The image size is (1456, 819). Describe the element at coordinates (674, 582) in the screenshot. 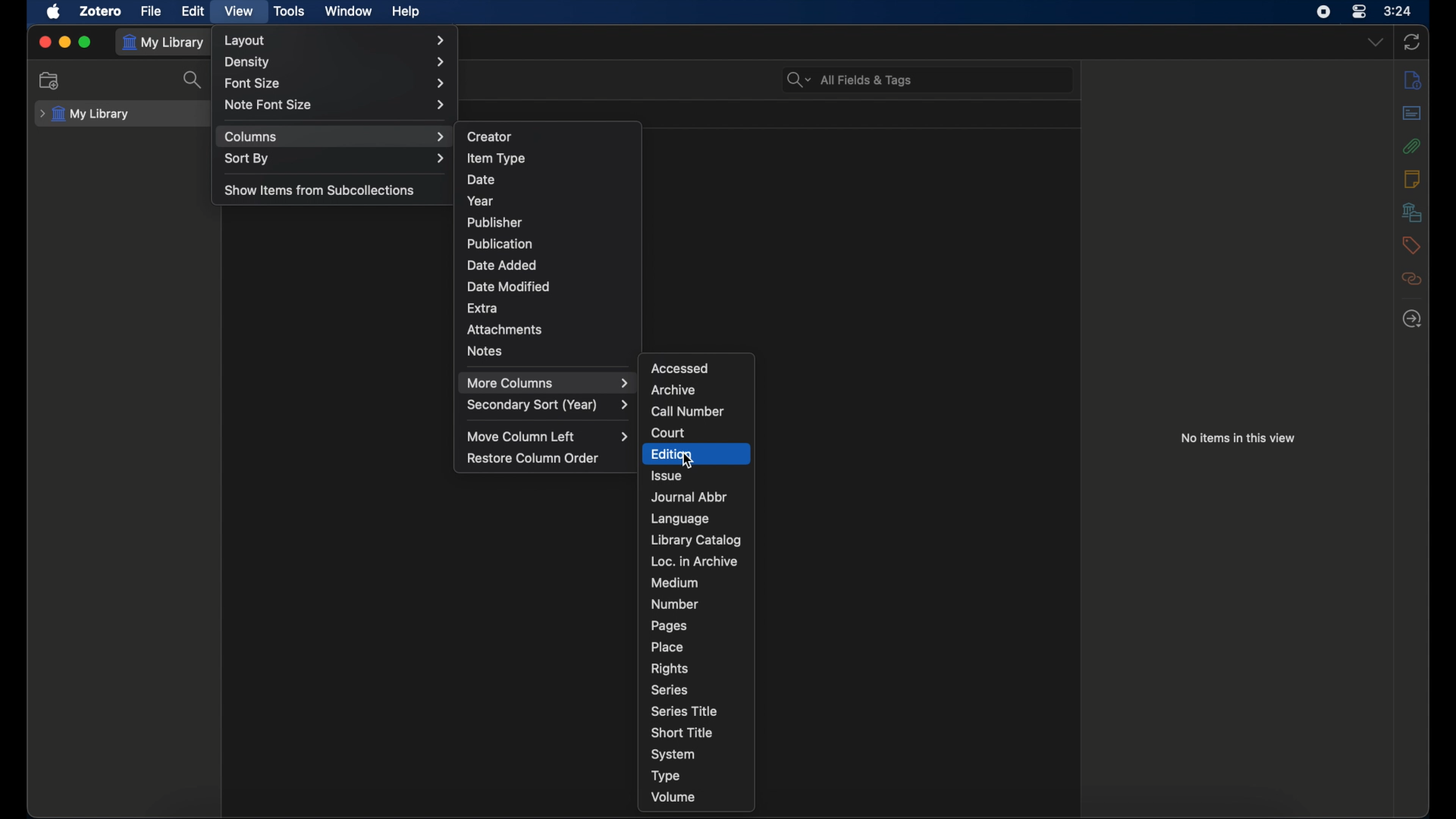

I see `medium` at that location.